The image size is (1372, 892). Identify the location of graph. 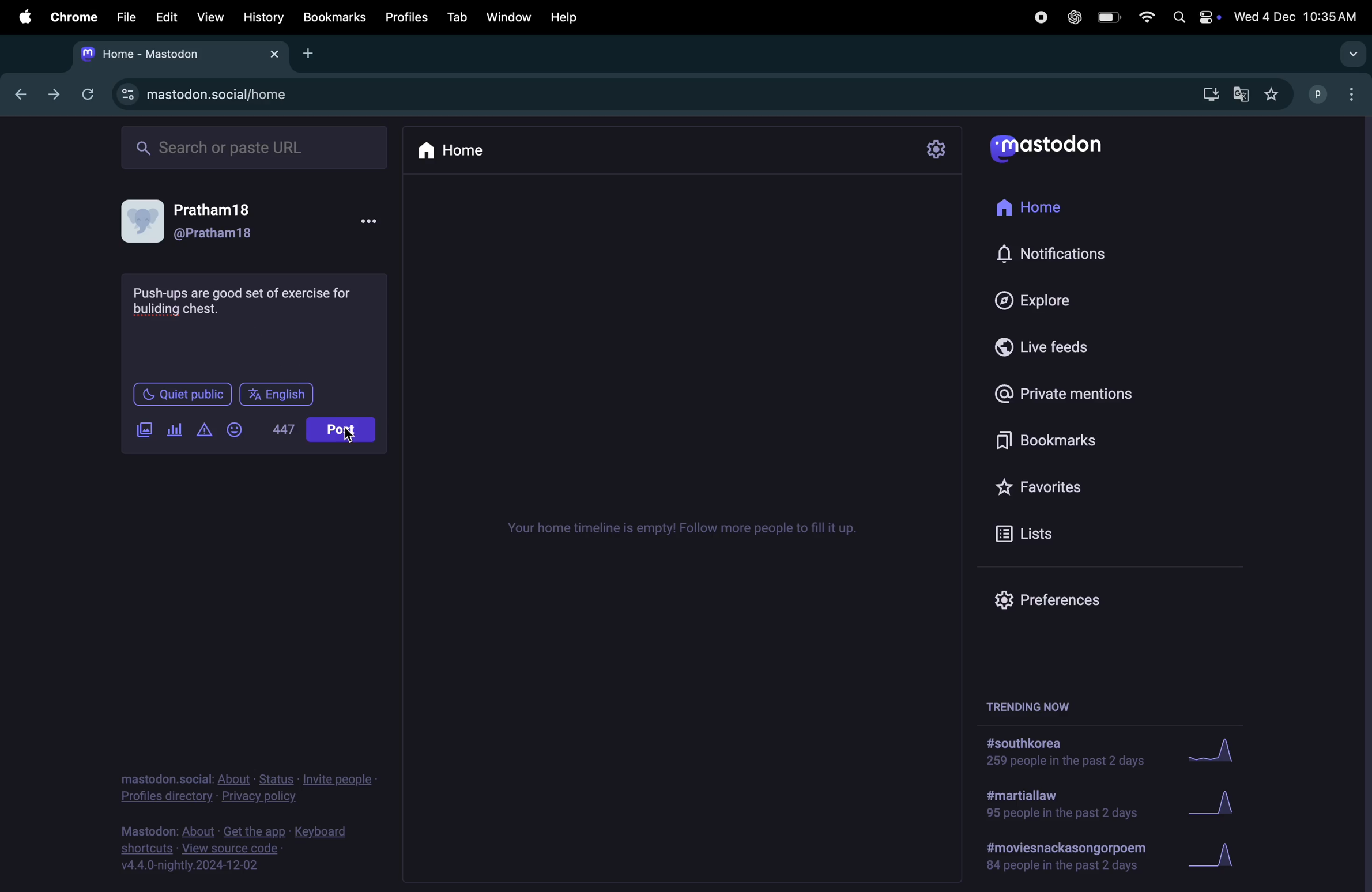
(1215, 755).